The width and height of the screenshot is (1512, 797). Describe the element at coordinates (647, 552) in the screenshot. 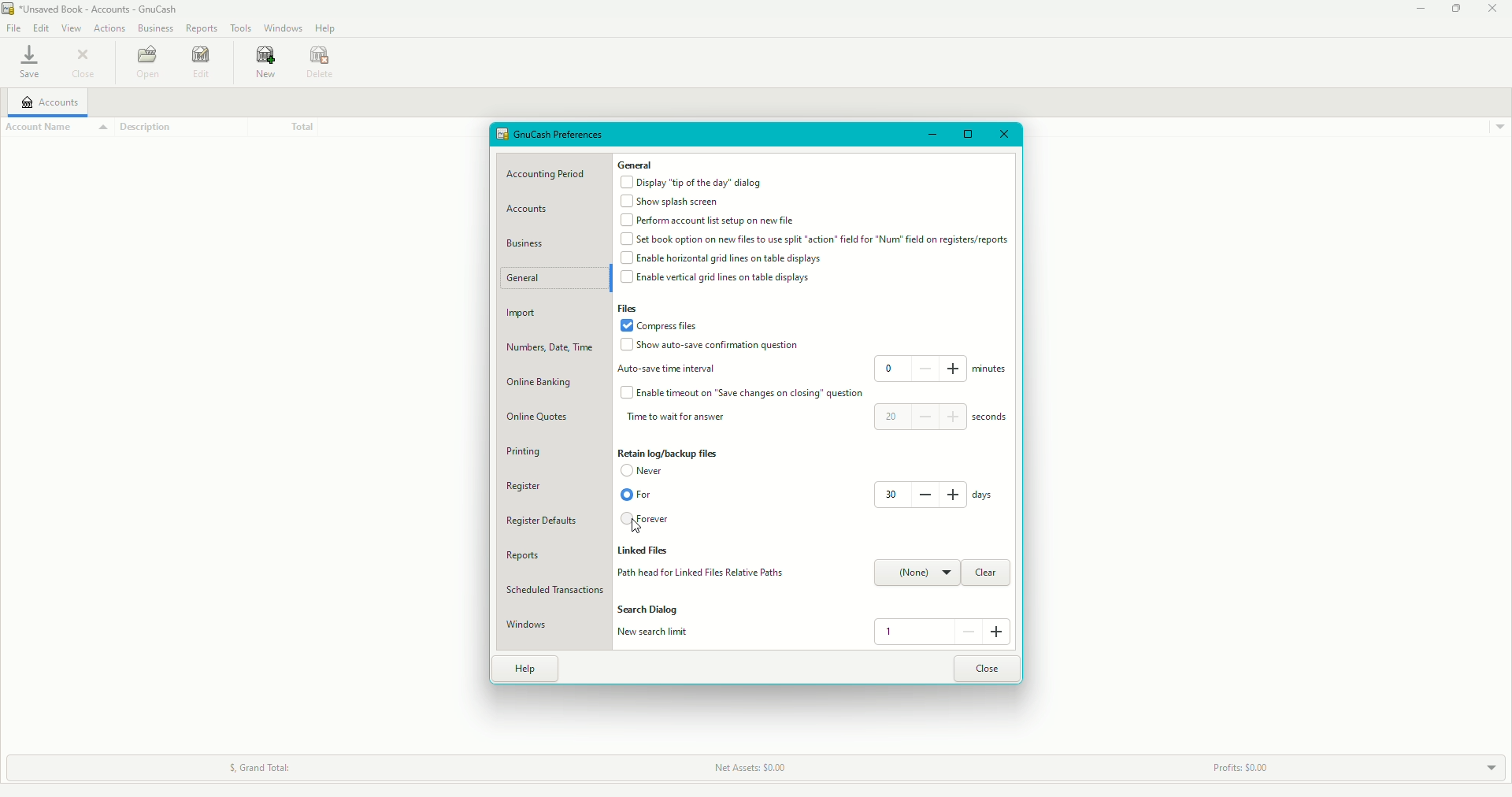

I see `Liked files` at that location.